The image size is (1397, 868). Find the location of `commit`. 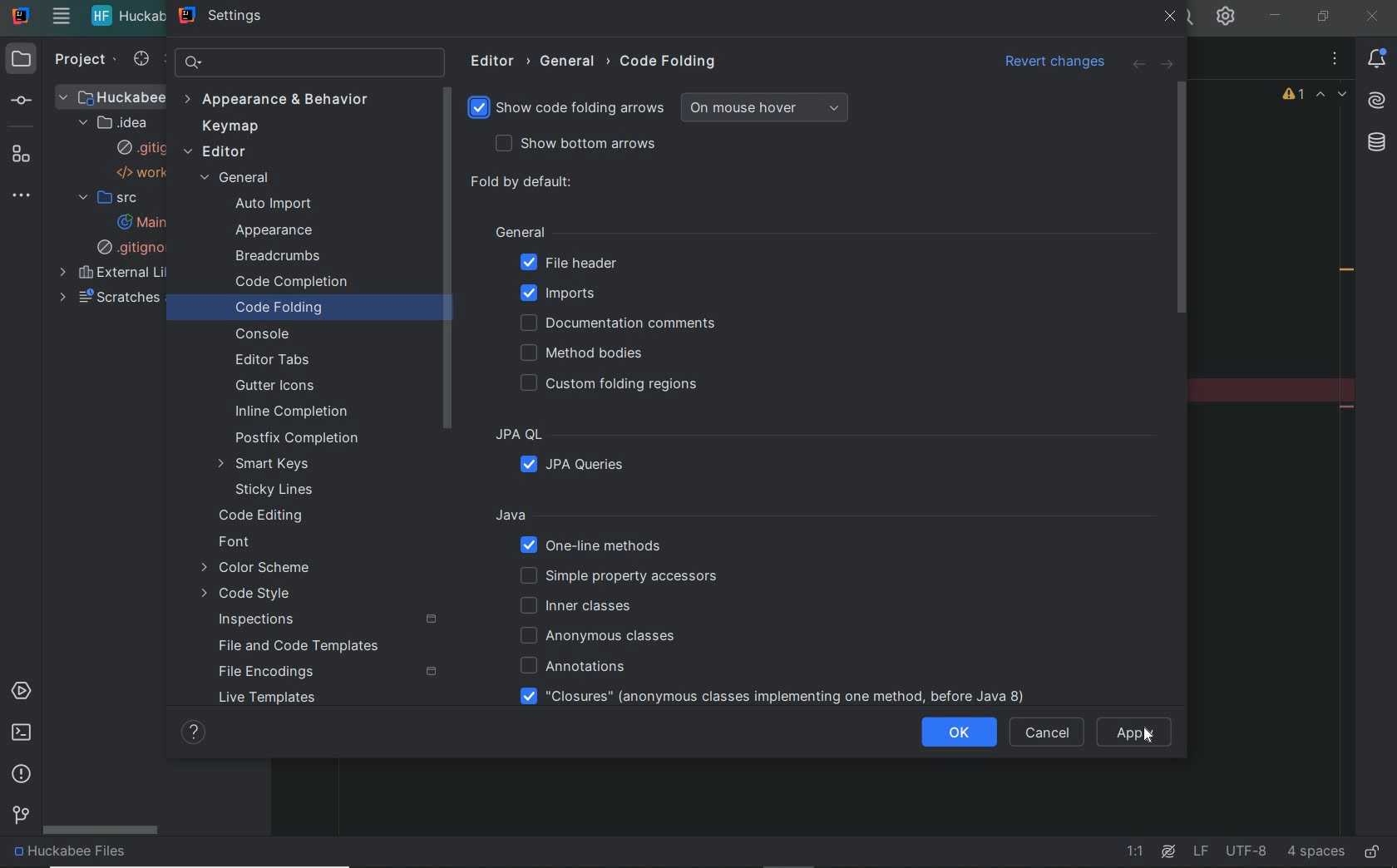

commit is located at coordinates (30, 100).